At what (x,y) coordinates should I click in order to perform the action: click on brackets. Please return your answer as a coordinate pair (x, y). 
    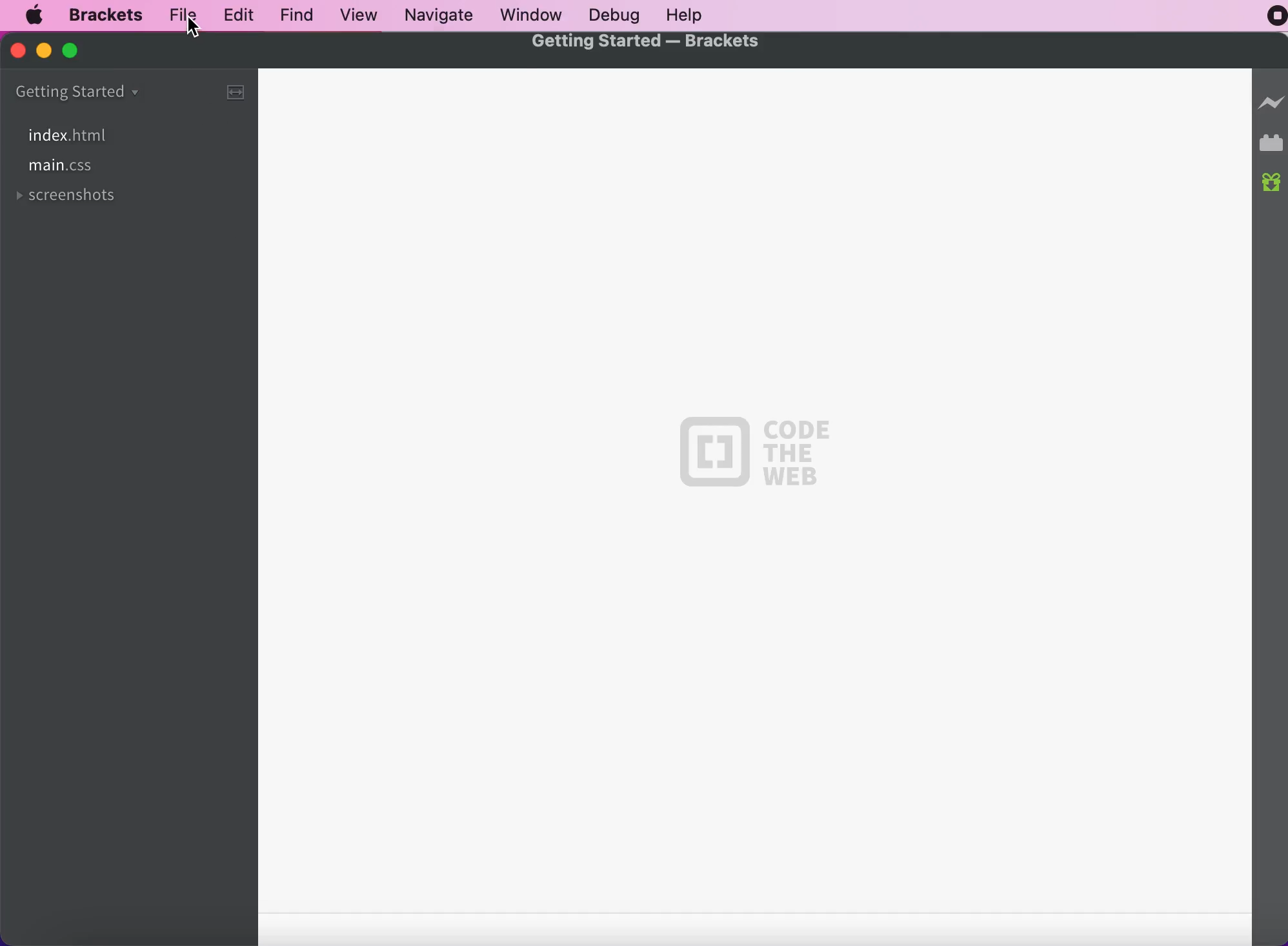
    Looking at the image, I should click on (108, 14).